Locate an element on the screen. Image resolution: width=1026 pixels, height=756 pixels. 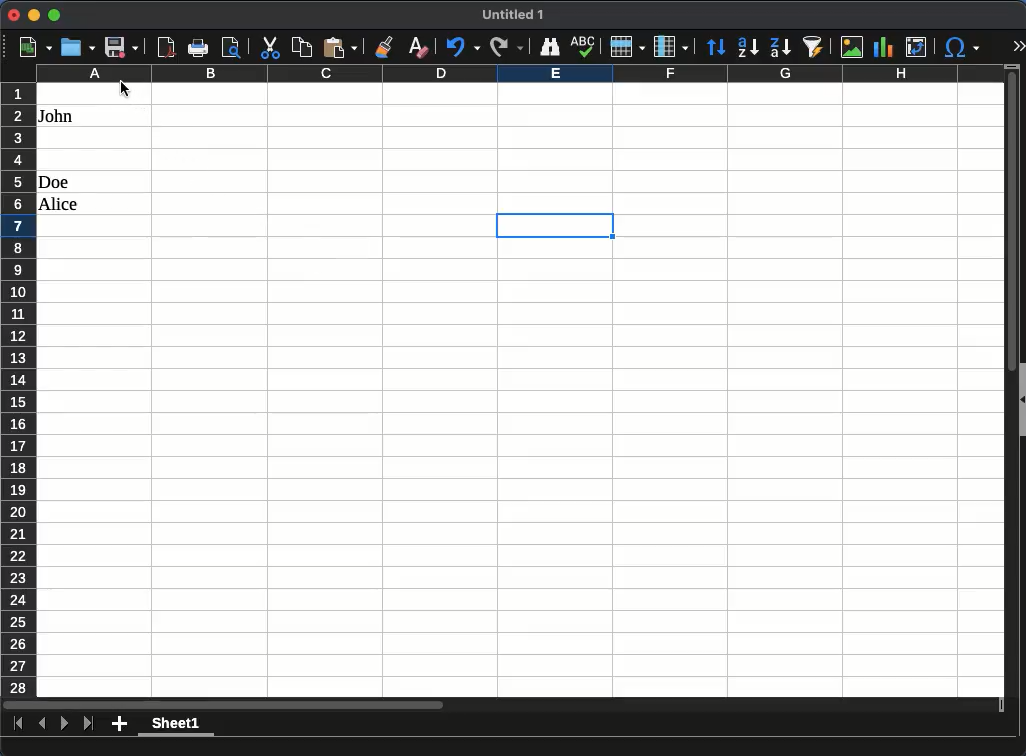
spell check is located at coordinates (585, 46).